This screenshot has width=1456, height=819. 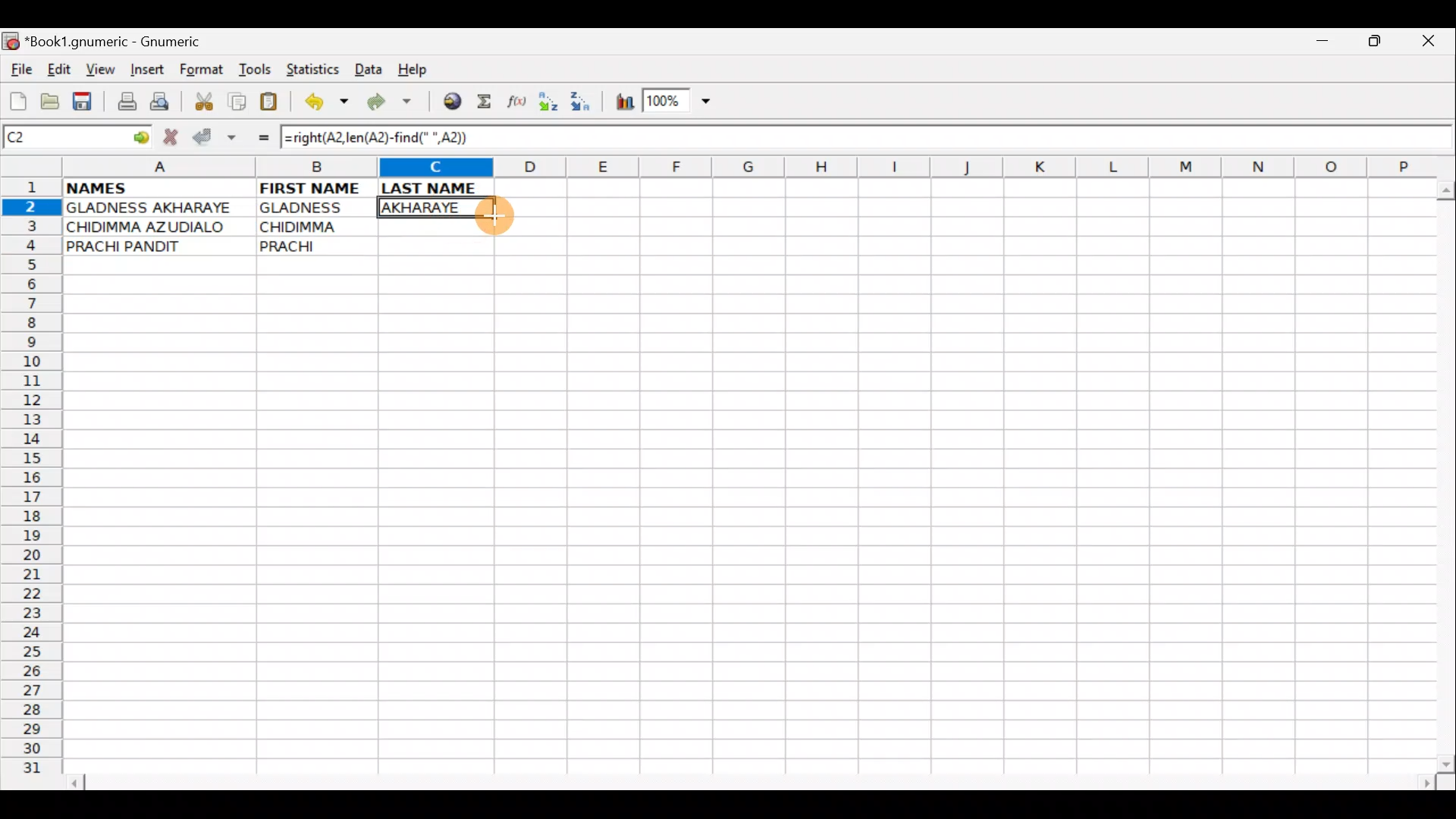 I want to click on Formula bar, so click(x=969, y=139).